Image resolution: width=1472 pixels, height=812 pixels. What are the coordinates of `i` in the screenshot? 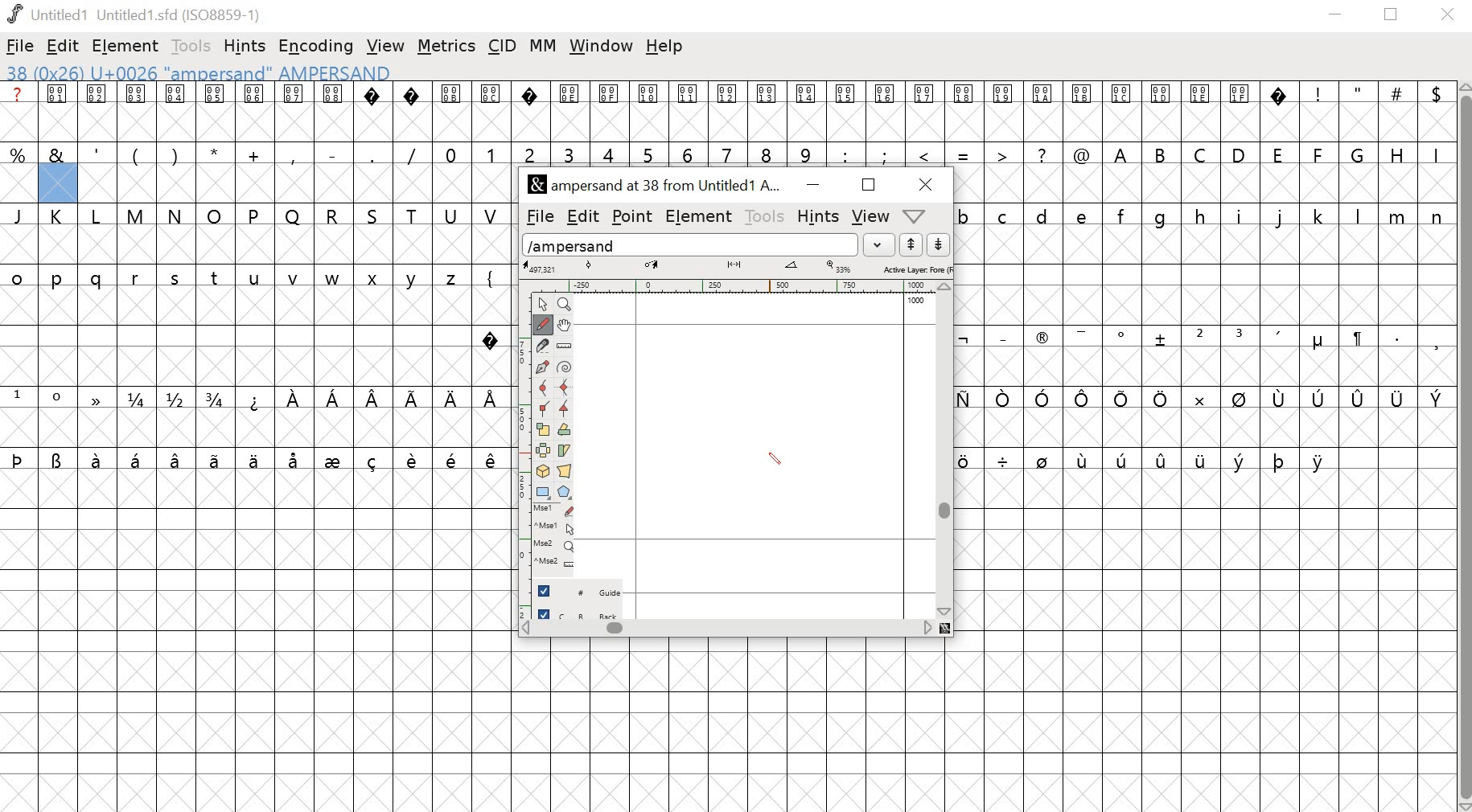 It's located at (1240, 215).